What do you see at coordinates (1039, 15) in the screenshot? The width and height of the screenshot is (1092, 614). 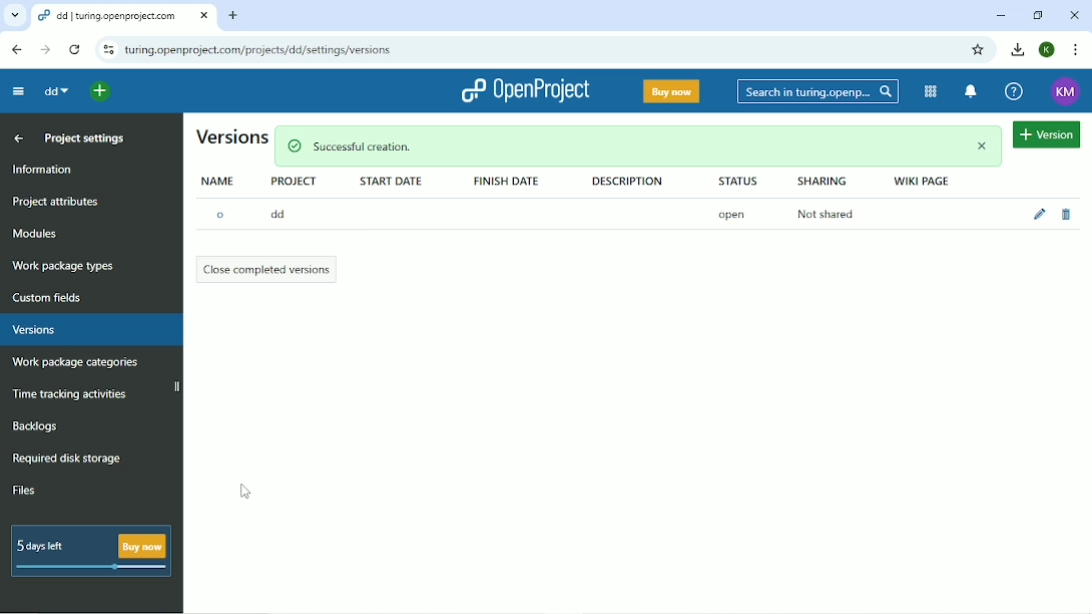 I see `Restore down` at bounding box center [1039, 15].